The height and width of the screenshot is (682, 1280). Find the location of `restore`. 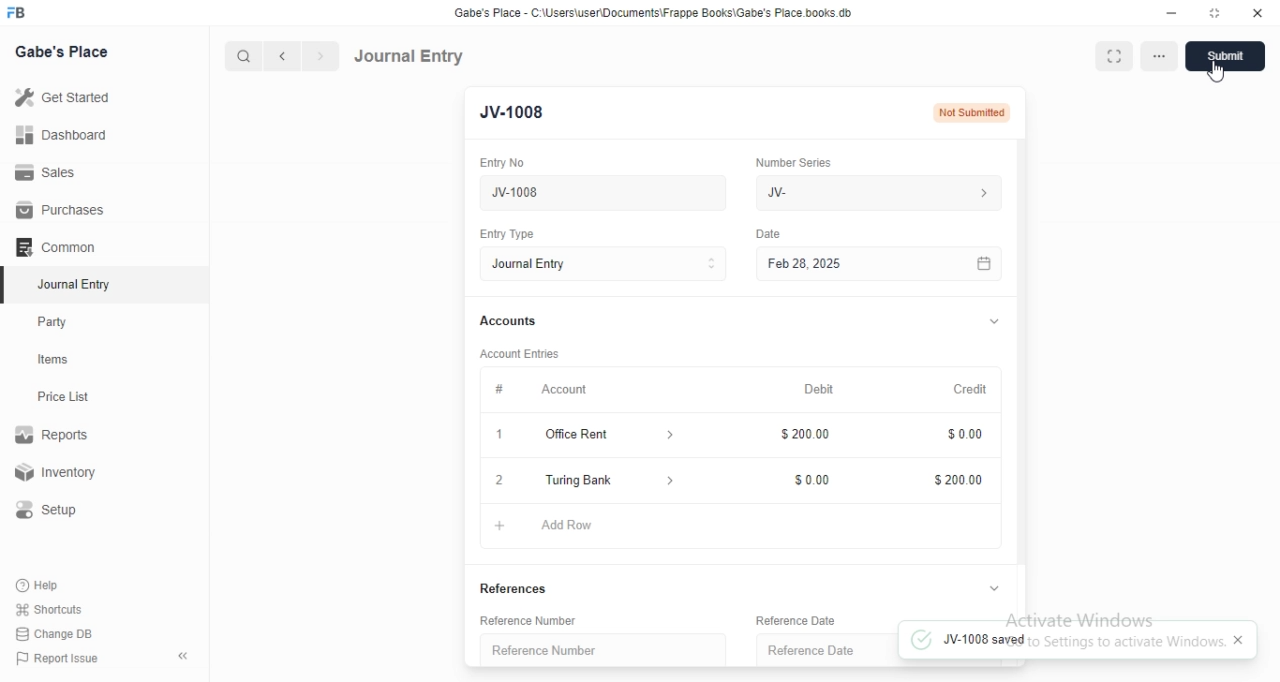

restore is located at coordinates (1218, 13).